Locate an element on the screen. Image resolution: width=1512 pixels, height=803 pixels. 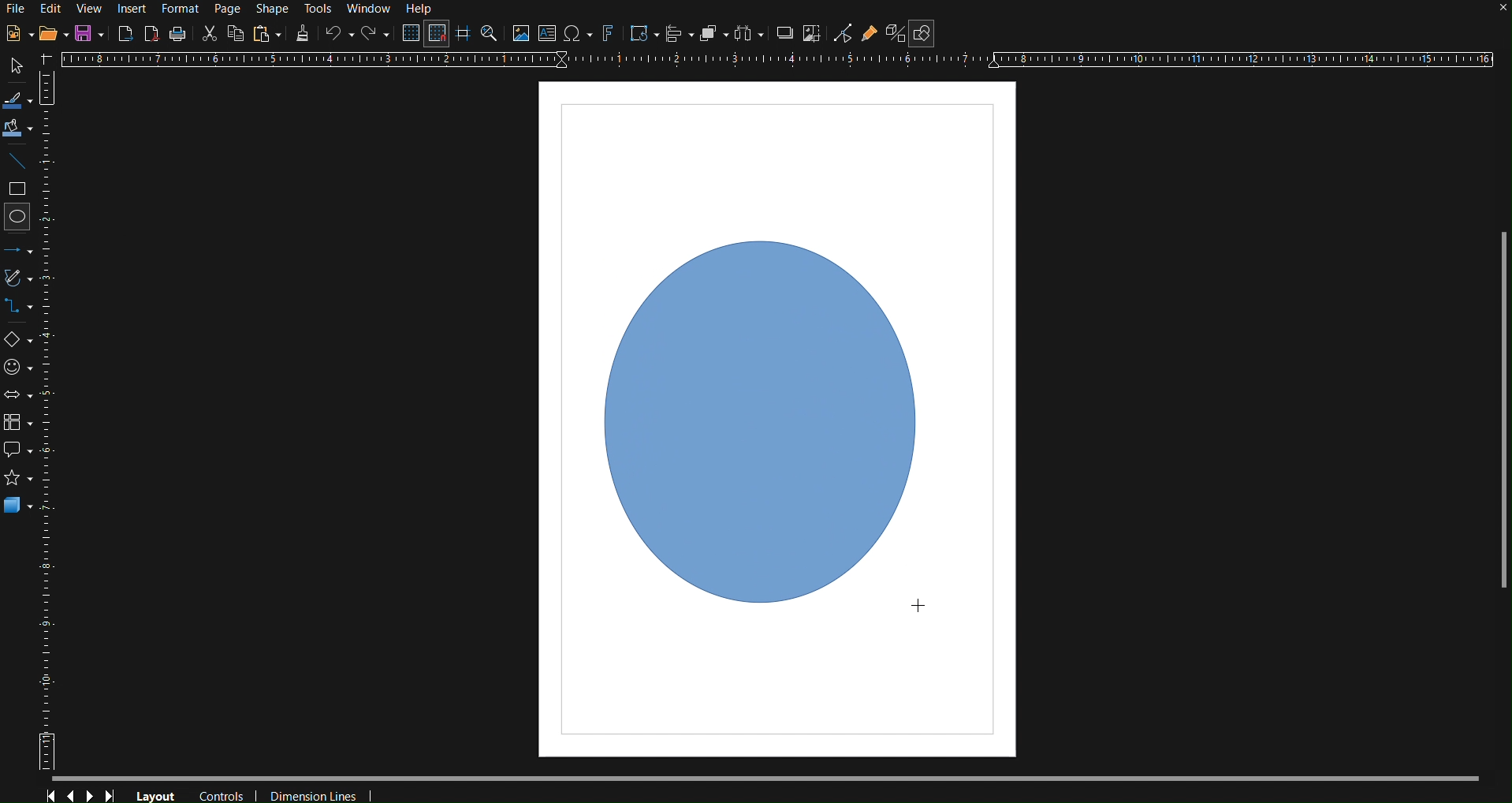
View is located at coordinates (91, 9).